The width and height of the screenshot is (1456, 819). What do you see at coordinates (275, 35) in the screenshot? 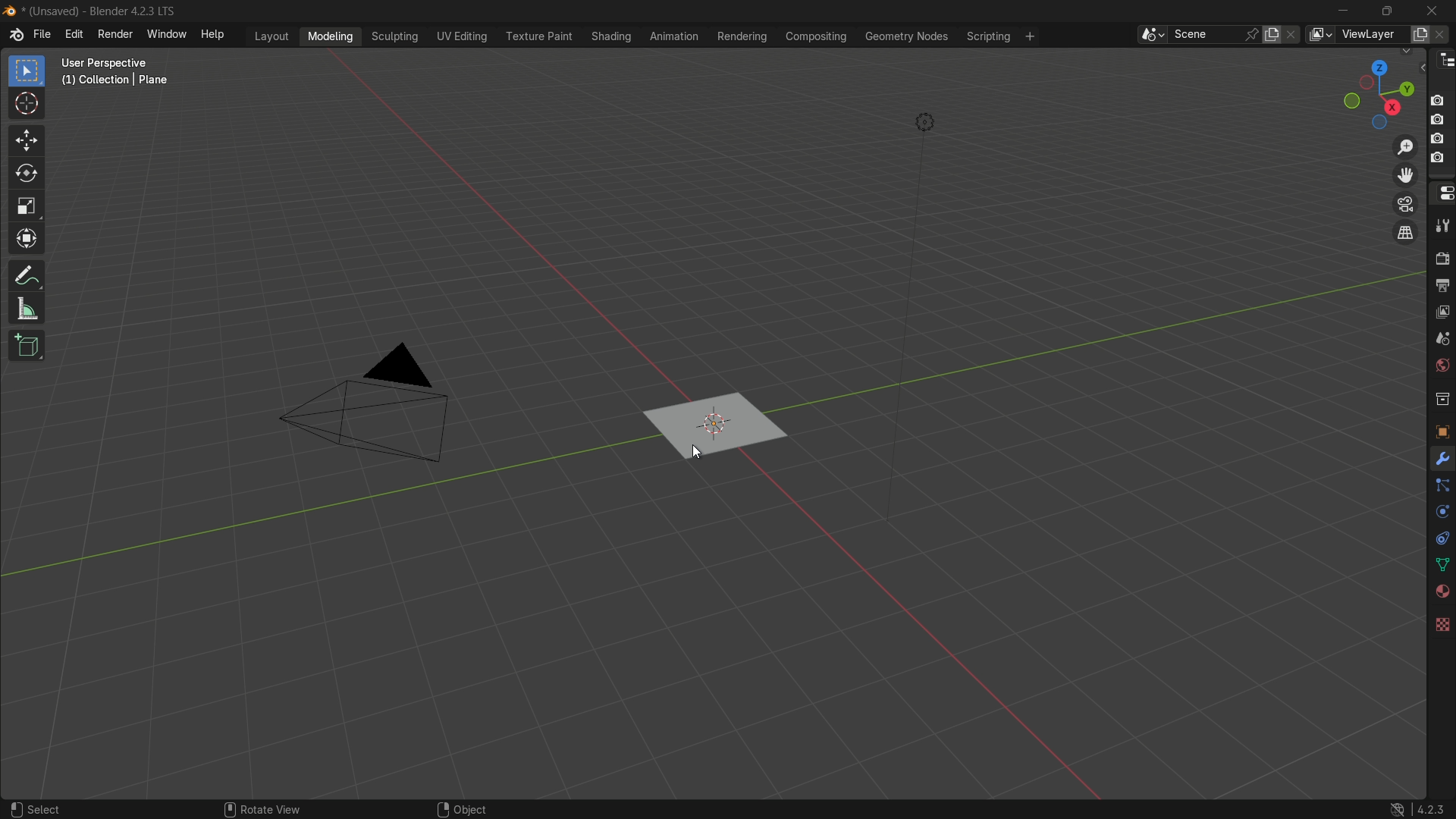
I see `layout` at bounding box center [275, 35].